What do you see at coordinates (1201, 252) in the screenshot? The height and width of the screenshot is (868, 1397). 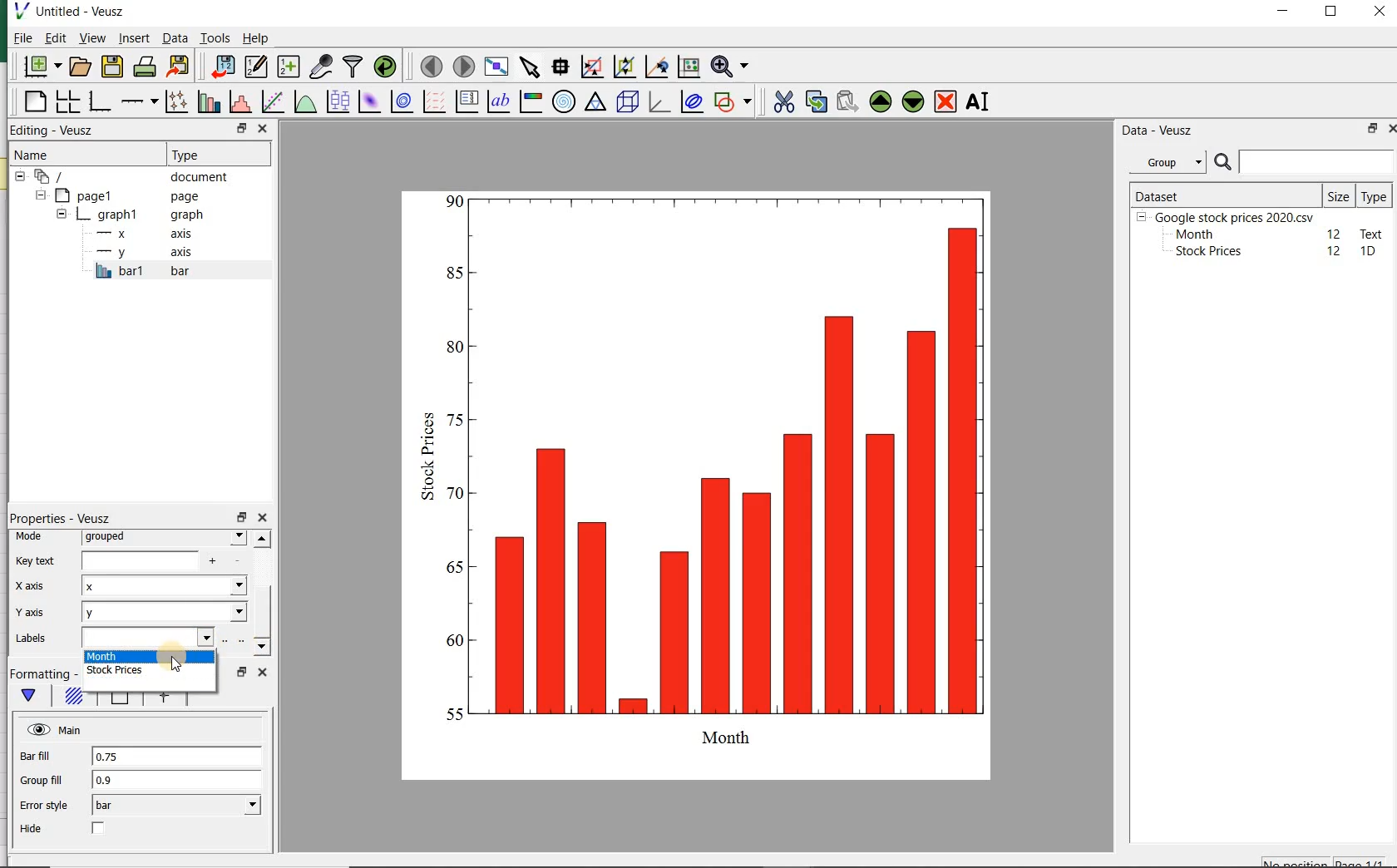 I see `Stock prices` at bounding box center [1201, 252].